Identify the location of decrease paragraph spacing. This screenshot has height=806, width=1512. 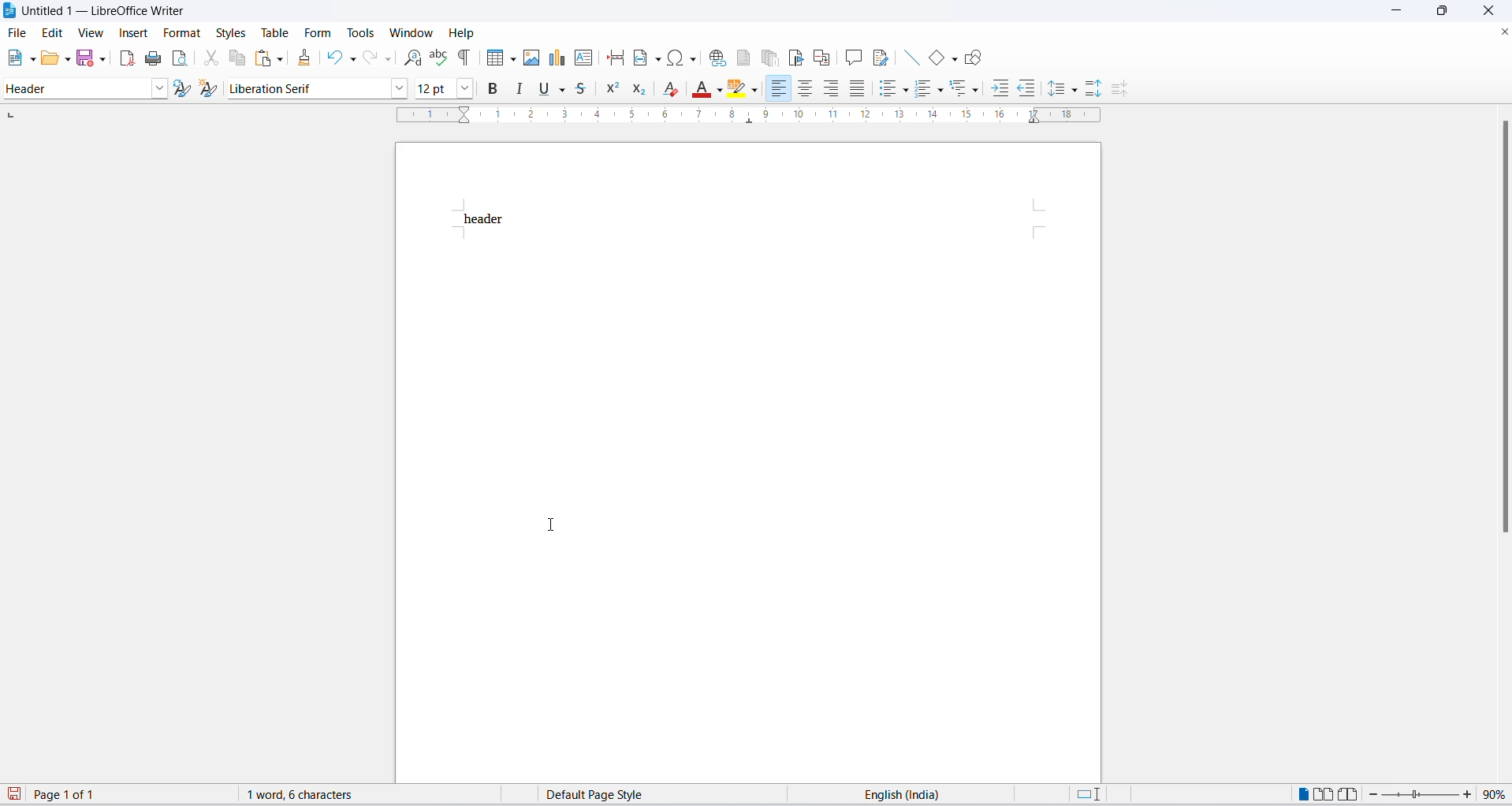
(1121, 91).